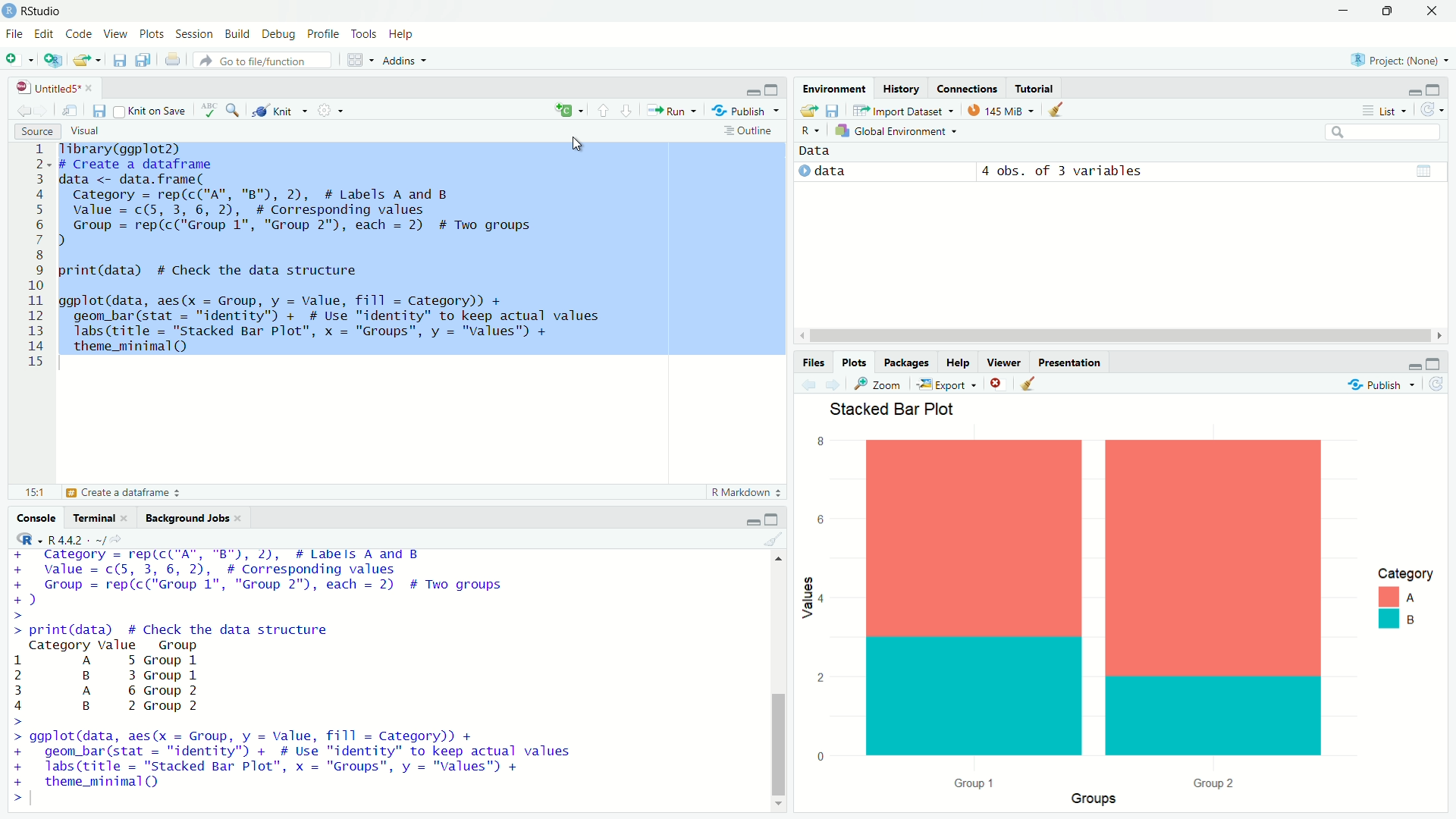  I want to click on R Markdown 2, so click(744, 493).